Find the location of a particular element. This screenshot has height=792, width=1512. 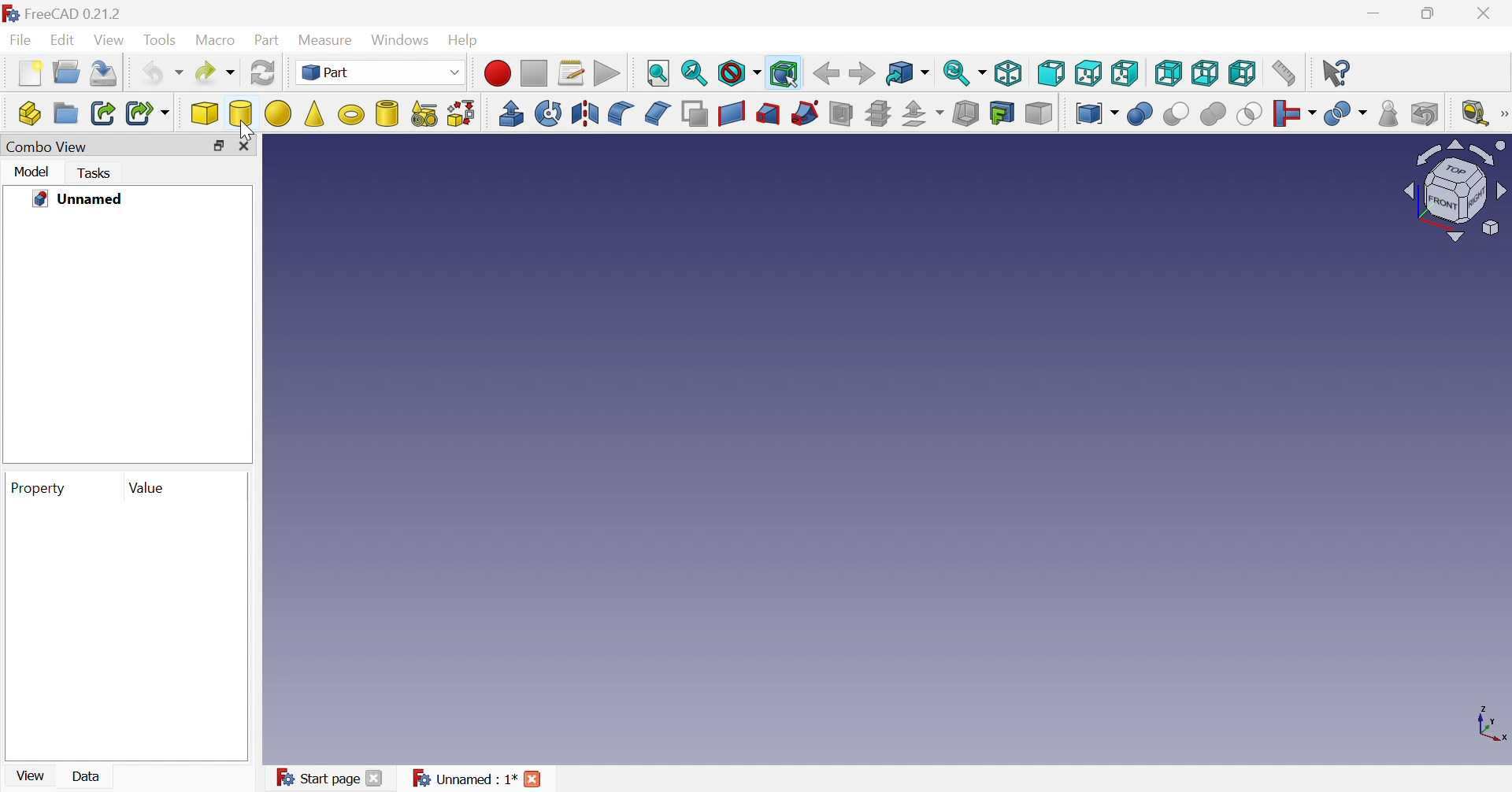

Windows is located at coordinates (402, 40).